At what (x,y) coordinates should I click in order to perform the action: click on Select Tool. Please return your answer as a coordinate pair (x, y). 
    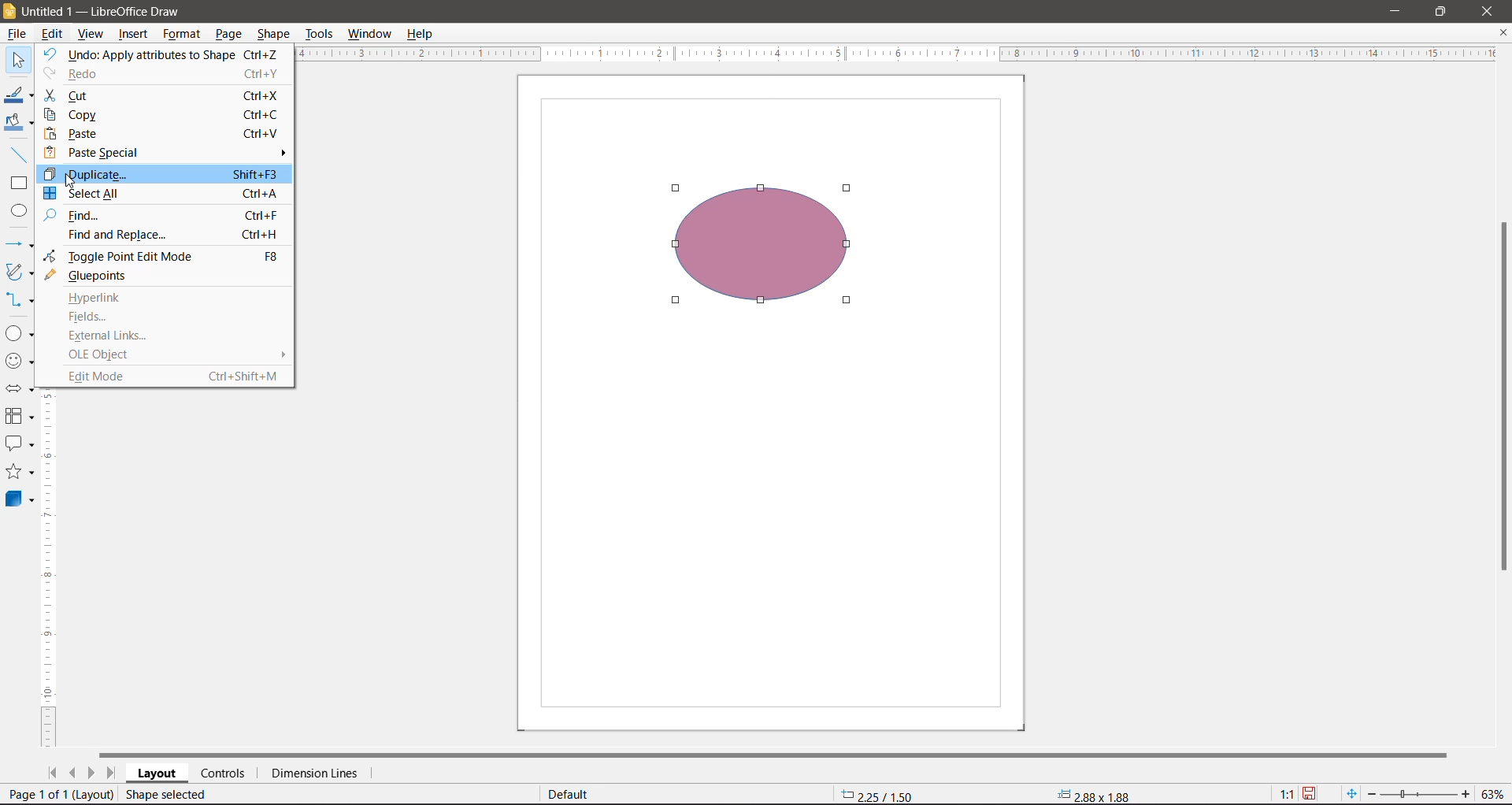
    Looking at the image, I should click on (18, 61).